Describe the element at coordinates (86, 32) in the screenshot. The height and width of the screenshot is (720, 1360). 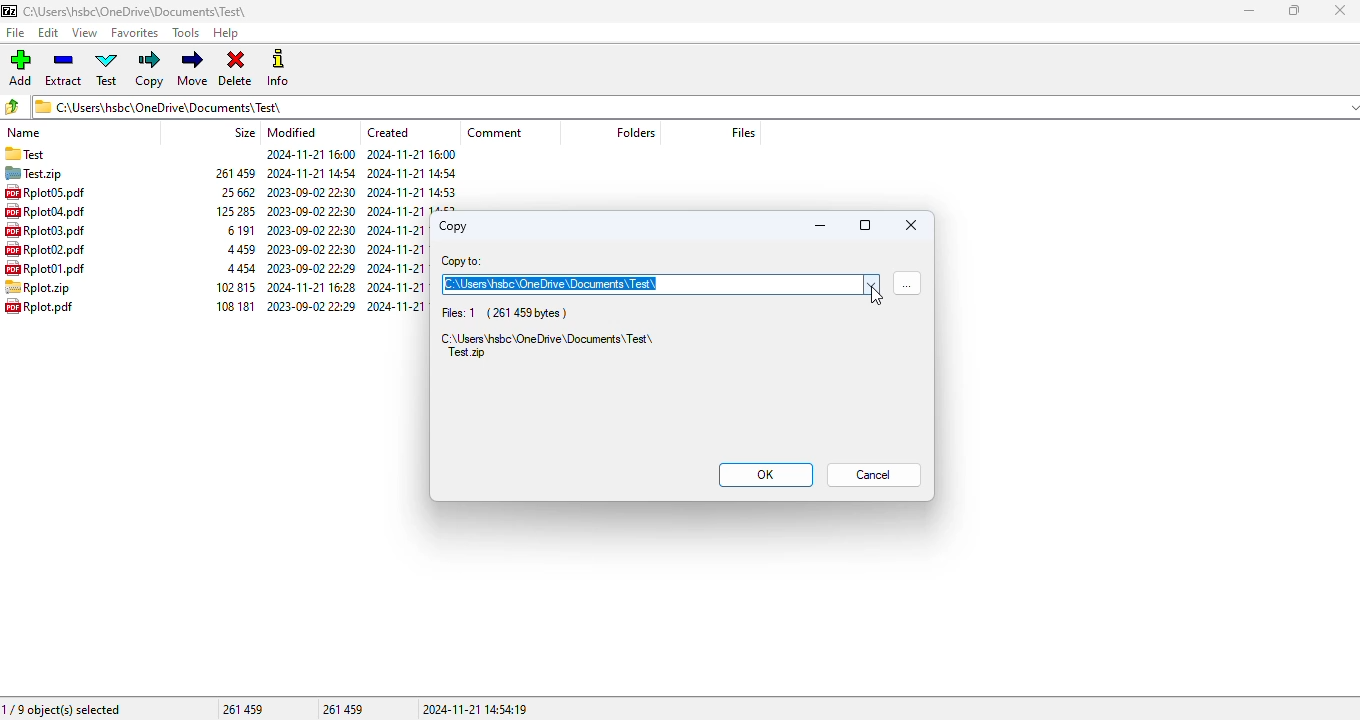
I see `view` at that location.